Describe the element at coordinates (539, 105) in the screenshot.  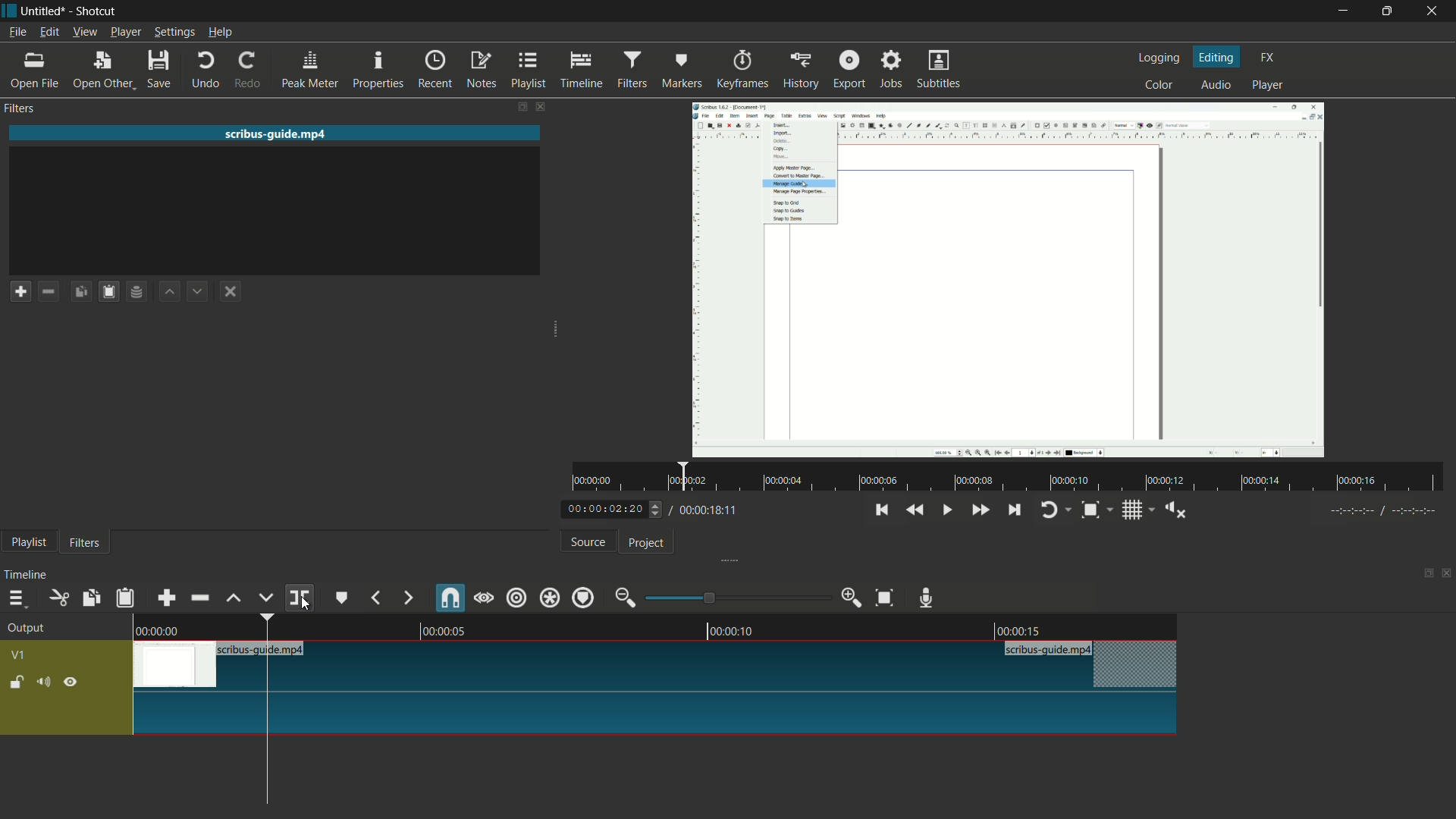
I see `close filters` at that location.